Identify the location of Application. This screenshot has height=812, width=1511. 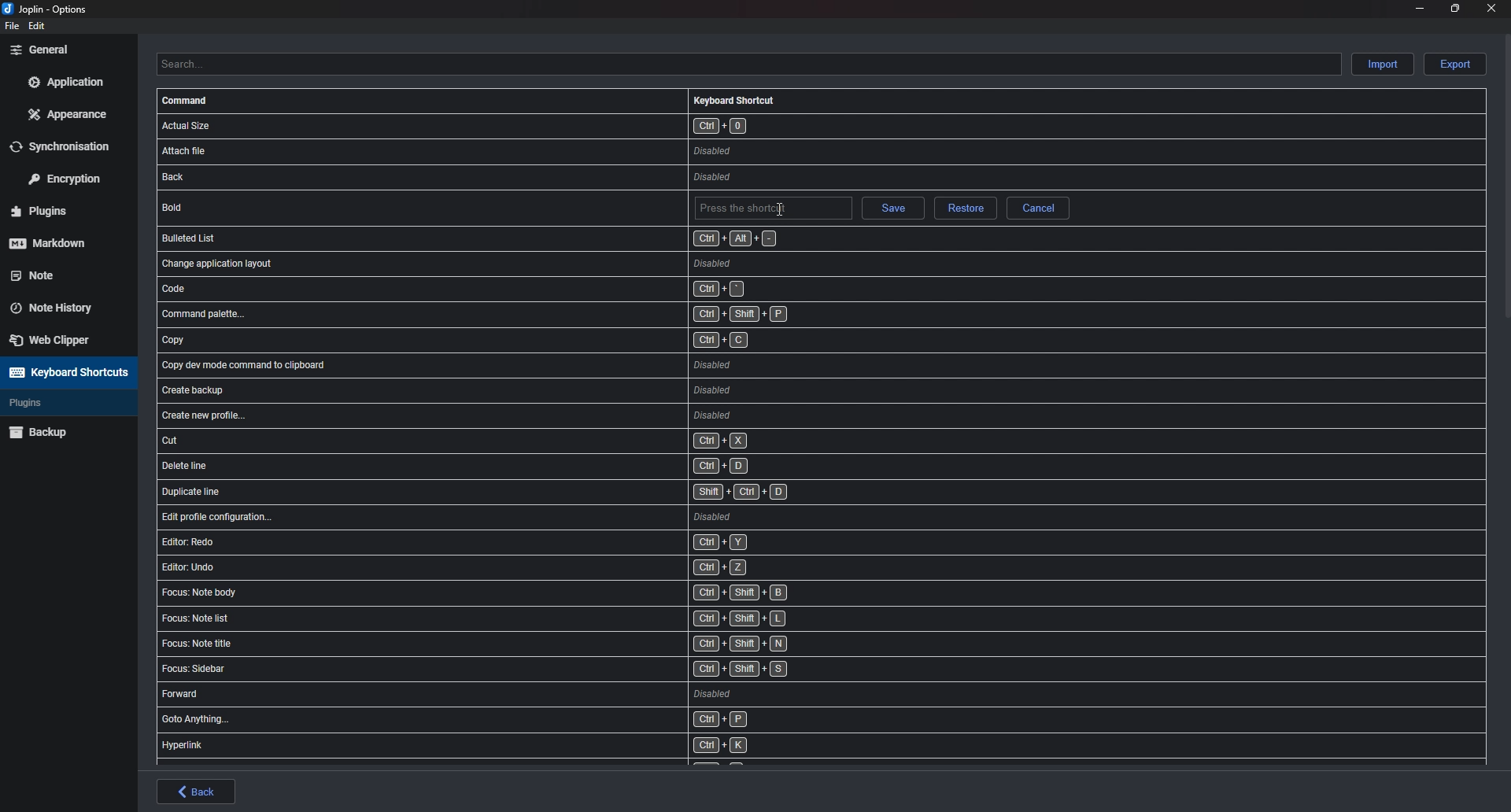
(65, 82).